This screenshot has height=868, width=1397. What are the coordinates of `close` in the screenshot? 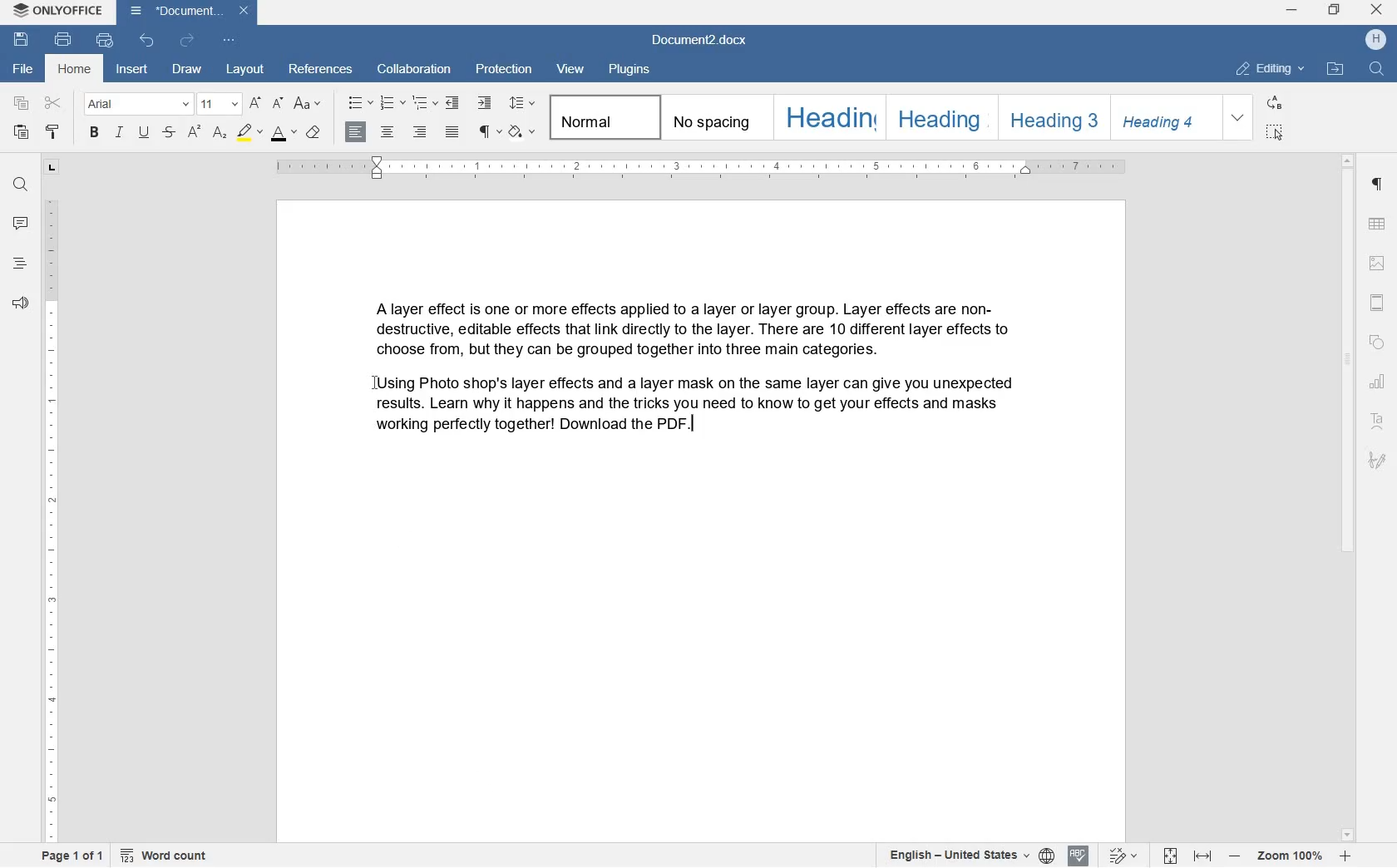 It's located at (1378, 11).